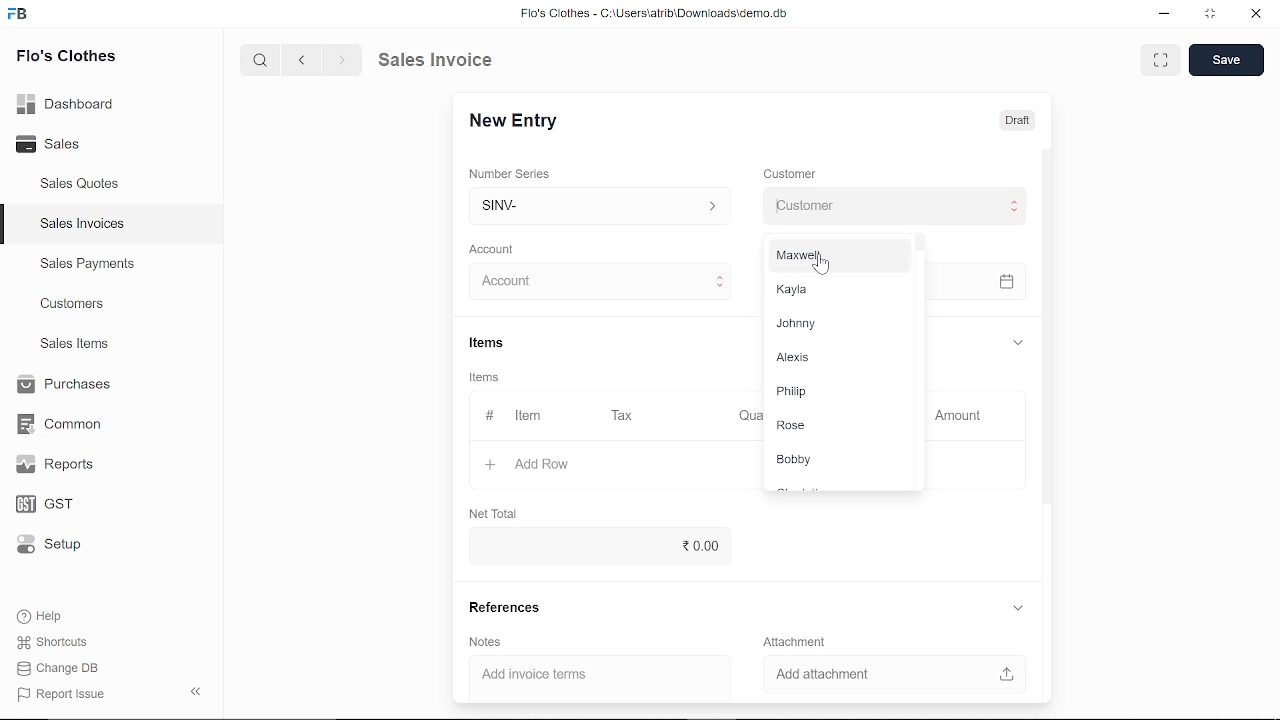 The height and width of the screenshot is (720, 1280). What do you see at coordinates (74, 303) in the screenshot?
I see `Customers` at bounding box center [74, 303].